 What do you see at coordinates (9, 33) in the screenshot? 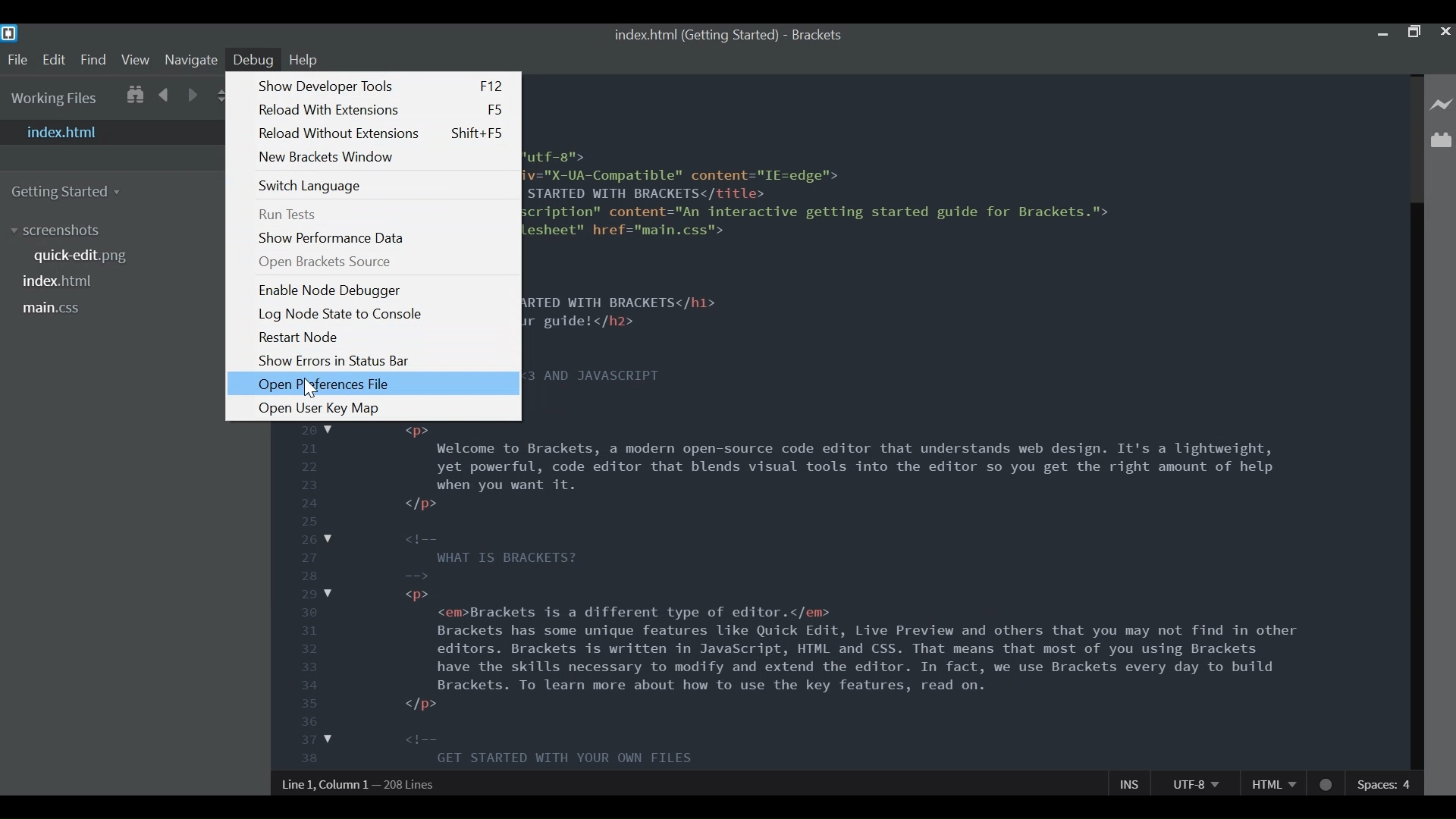
I see `Brackets Desktop icon` at bounding box center [9, 33].